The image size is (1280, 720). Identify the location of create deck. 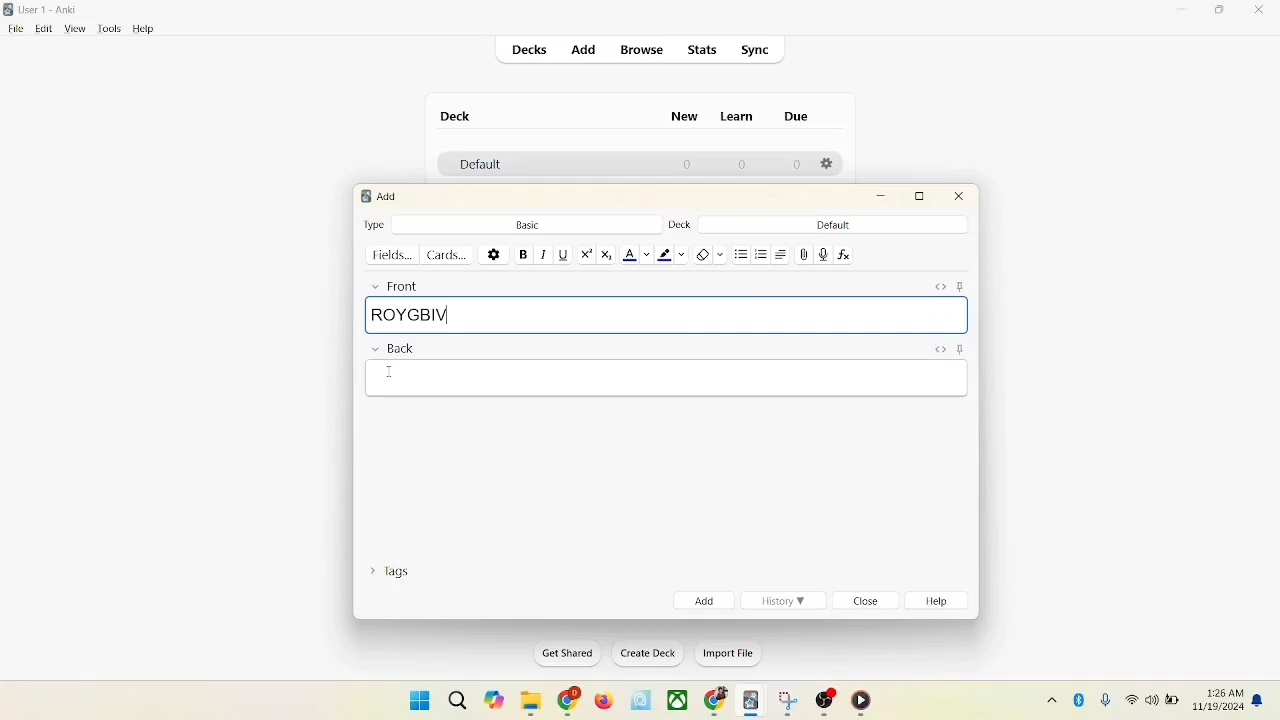
(644, 654).